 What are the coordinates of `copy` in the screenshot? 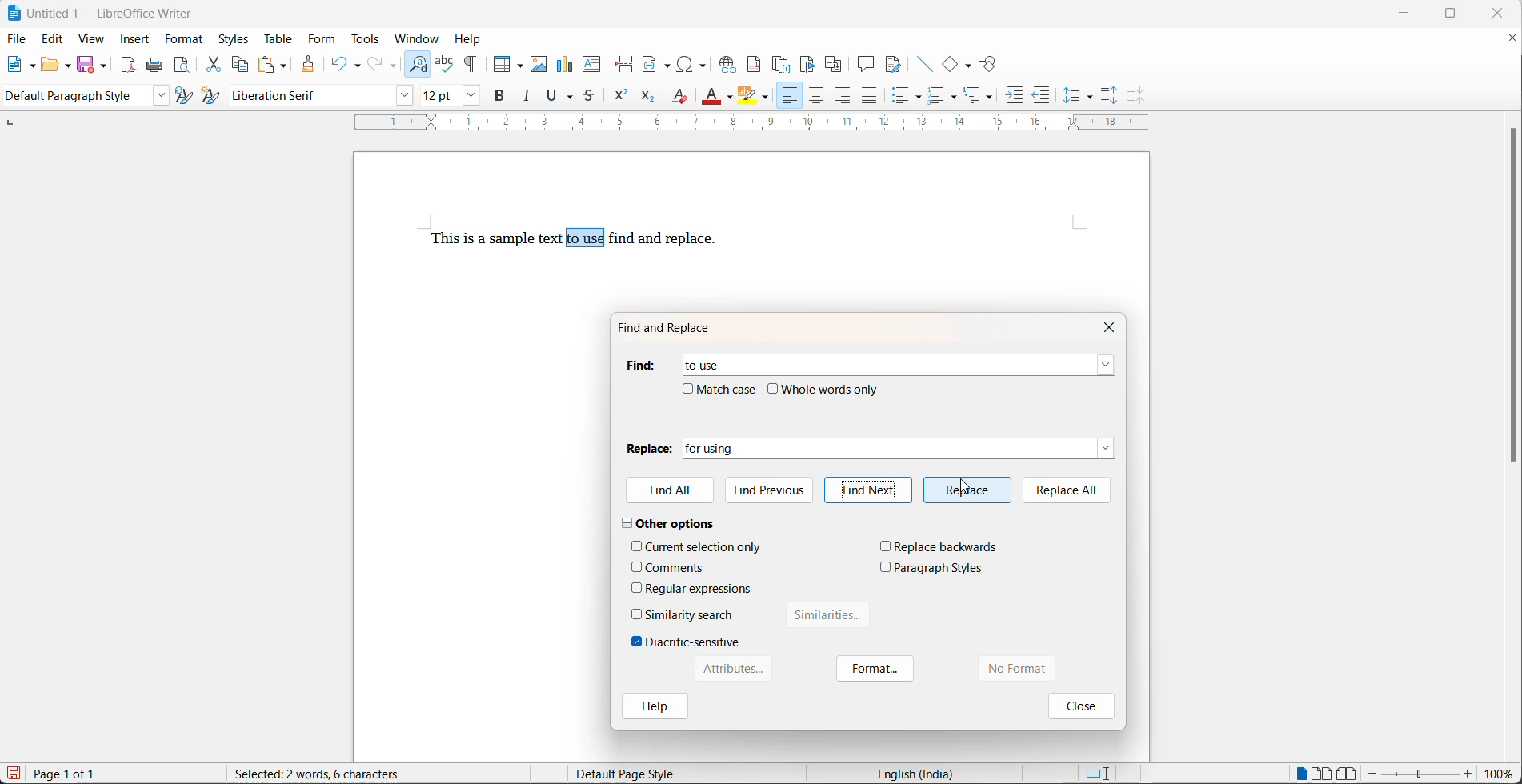 It's located at (242, 64).